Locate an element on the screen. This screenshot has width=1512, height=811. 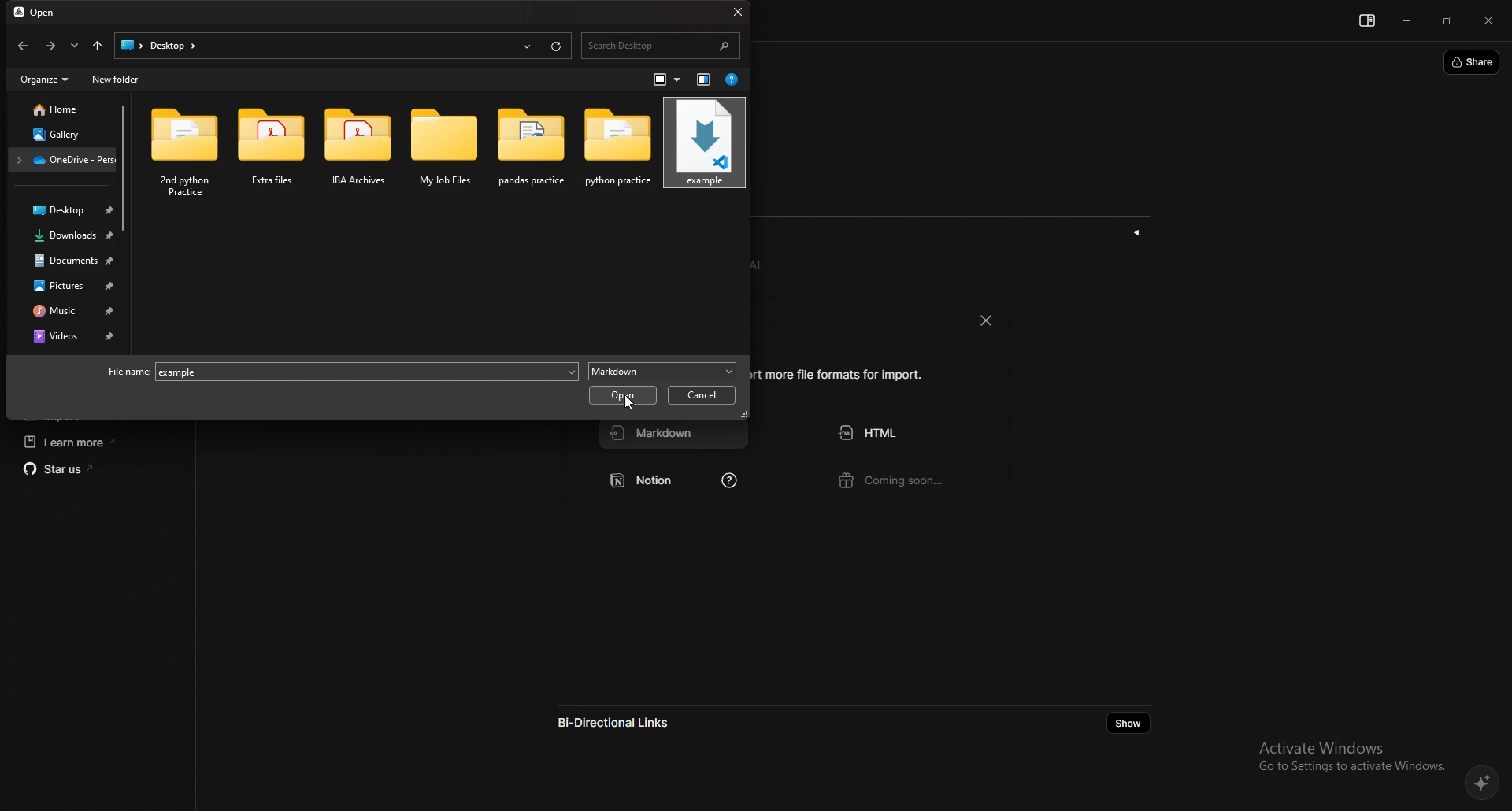
markdown is located at coordinates (675, 437).